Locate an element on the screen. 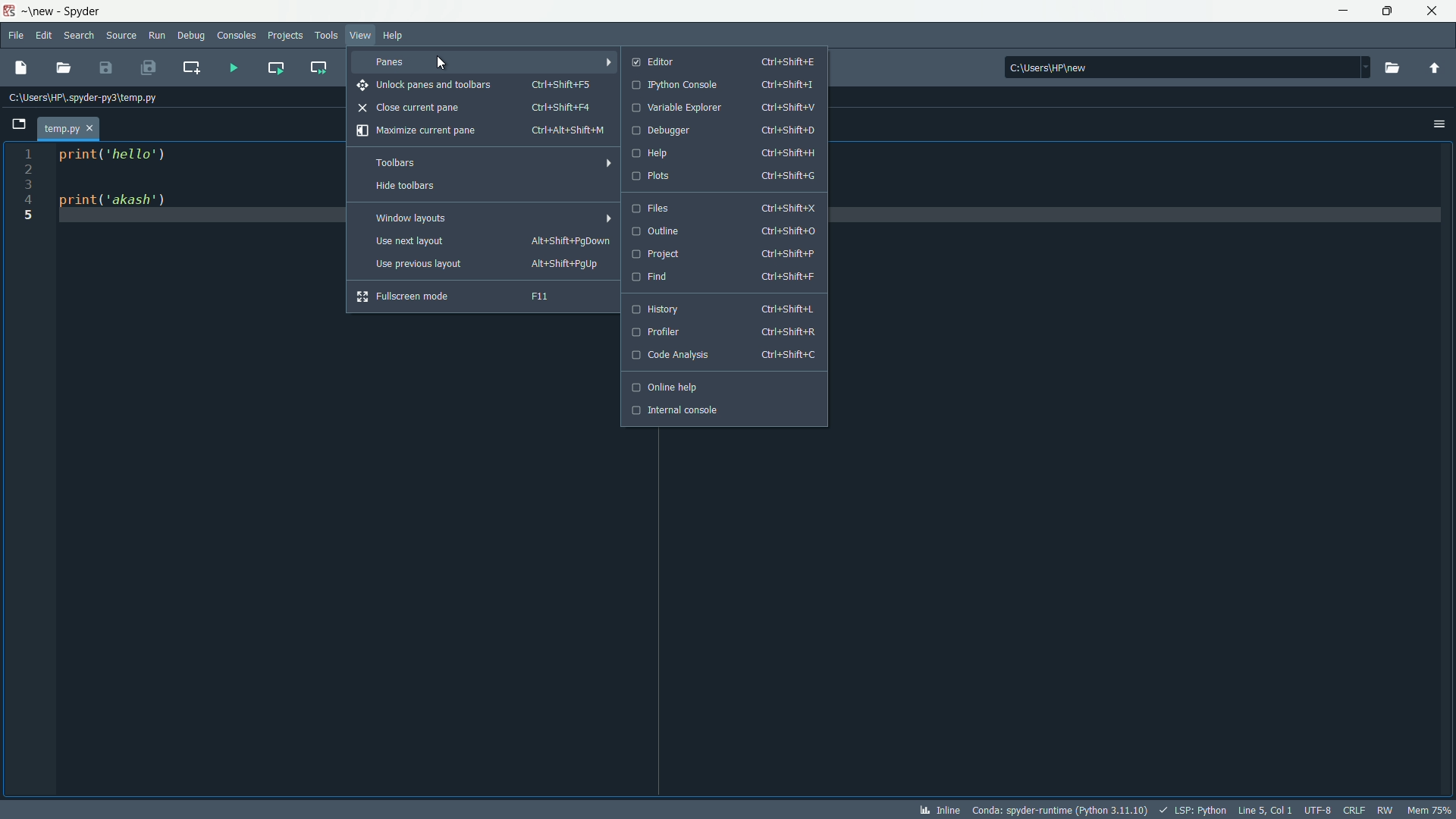  run current cell and go to the next one is located at coordinates (317, 66).